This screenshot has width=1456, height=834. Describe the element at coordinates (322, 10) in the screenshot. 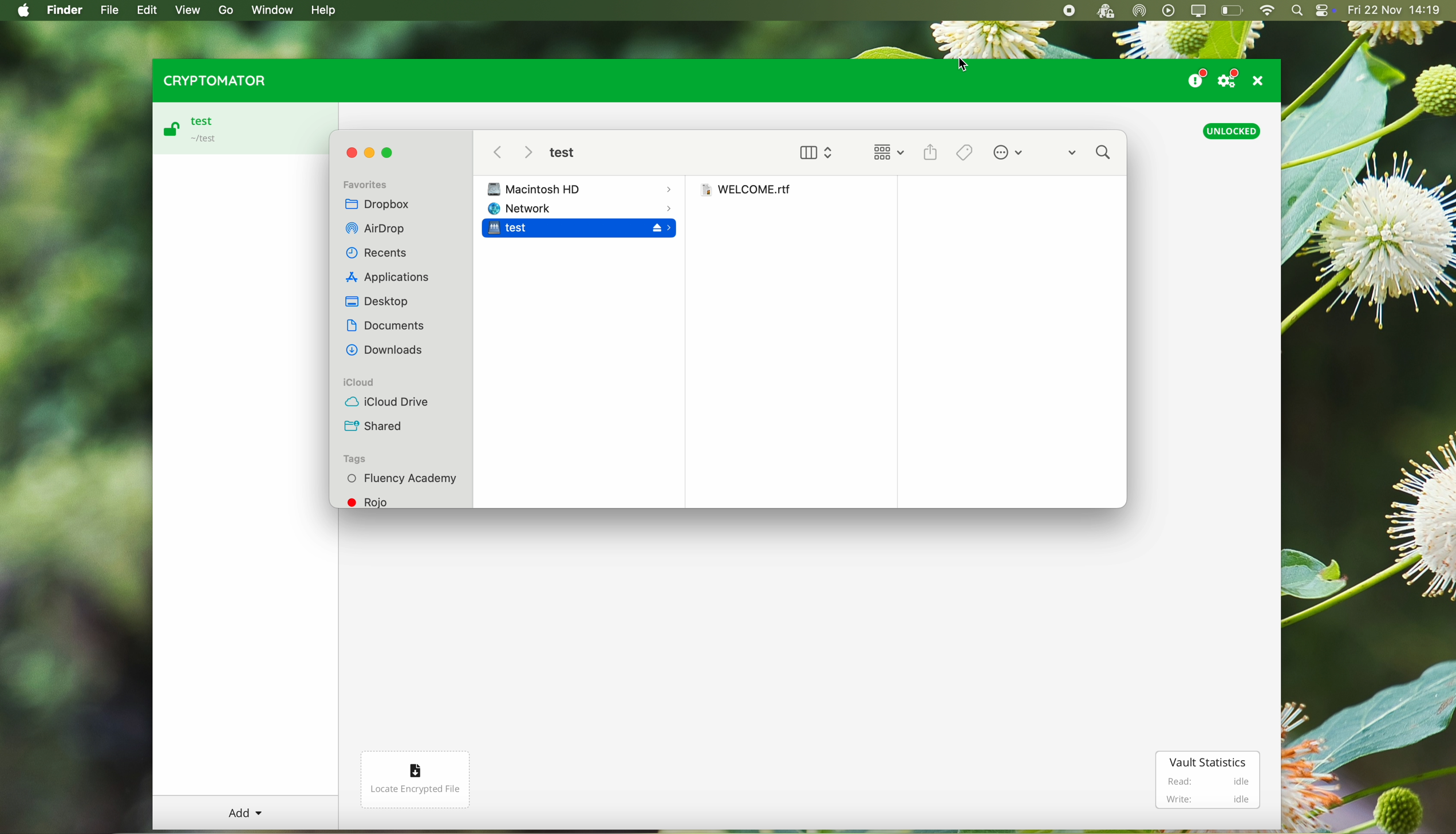

I see `Help` at that location.